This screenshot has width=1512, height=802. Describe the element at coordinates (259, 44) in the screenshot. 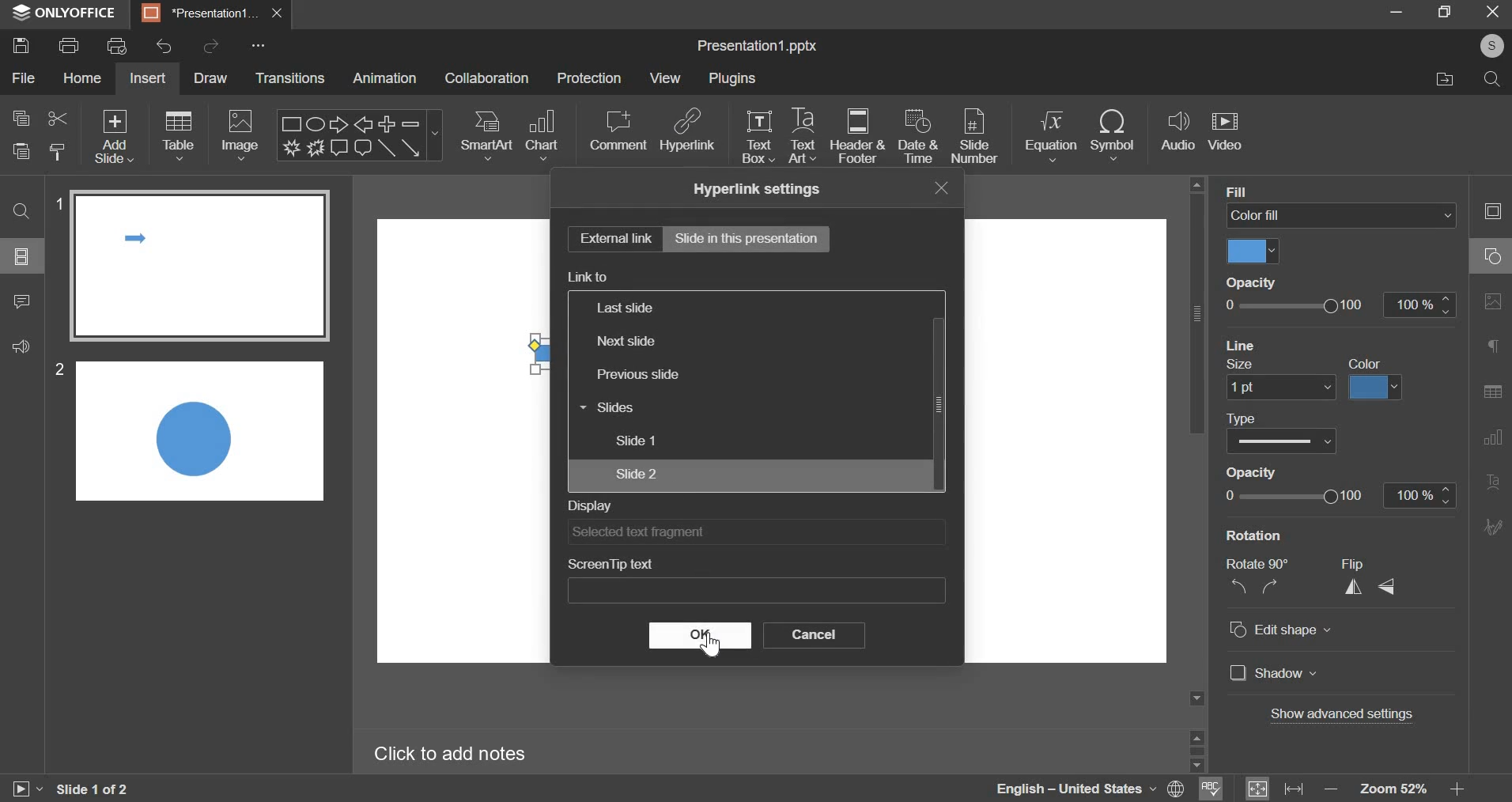

I see `customise quick access` at that location.